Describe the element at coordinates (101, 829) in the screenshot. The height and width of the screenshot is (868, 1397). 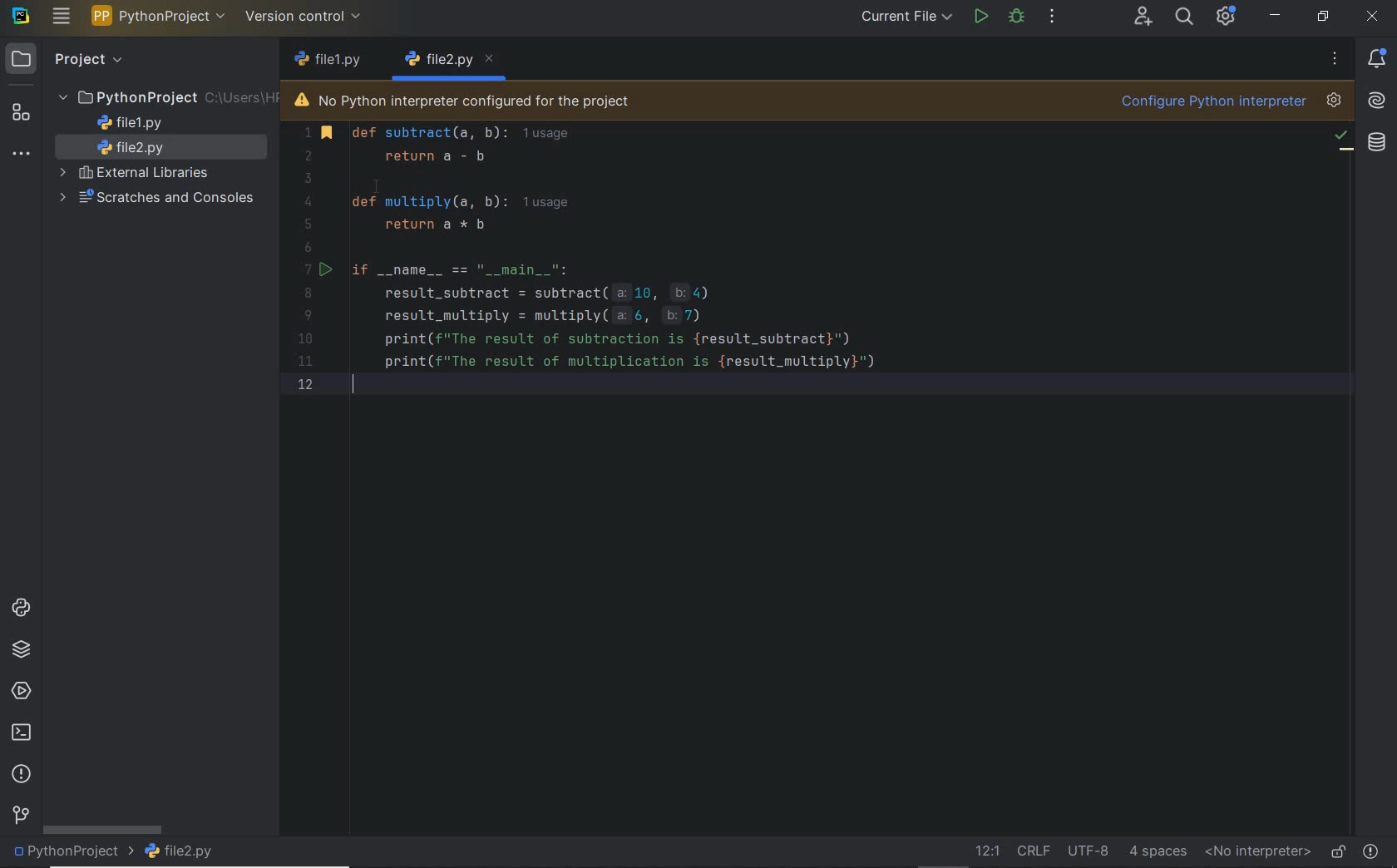
I see `scrollbar` at that location.